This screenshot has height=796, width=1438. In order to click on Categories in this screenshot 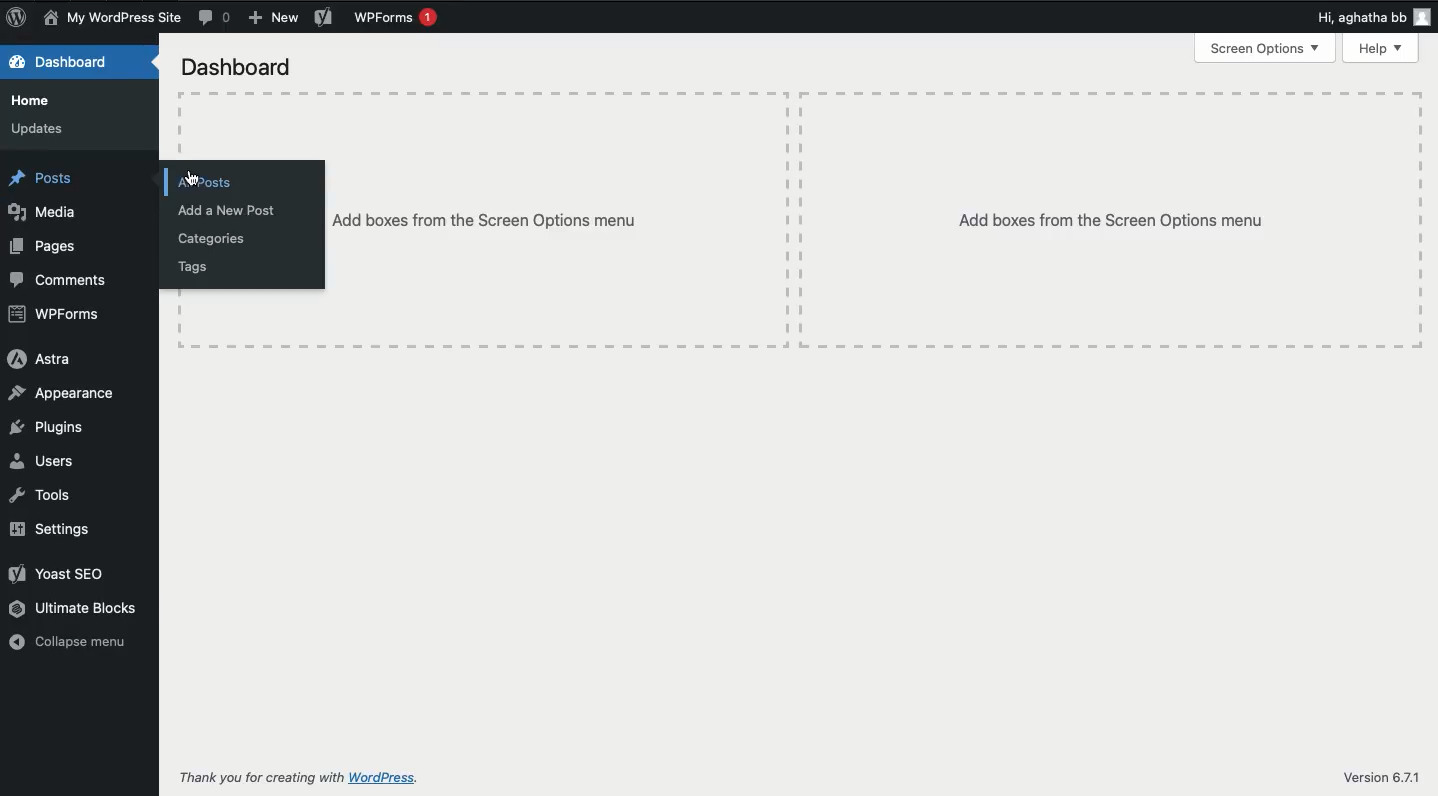, I will do `click(221, 240)`.